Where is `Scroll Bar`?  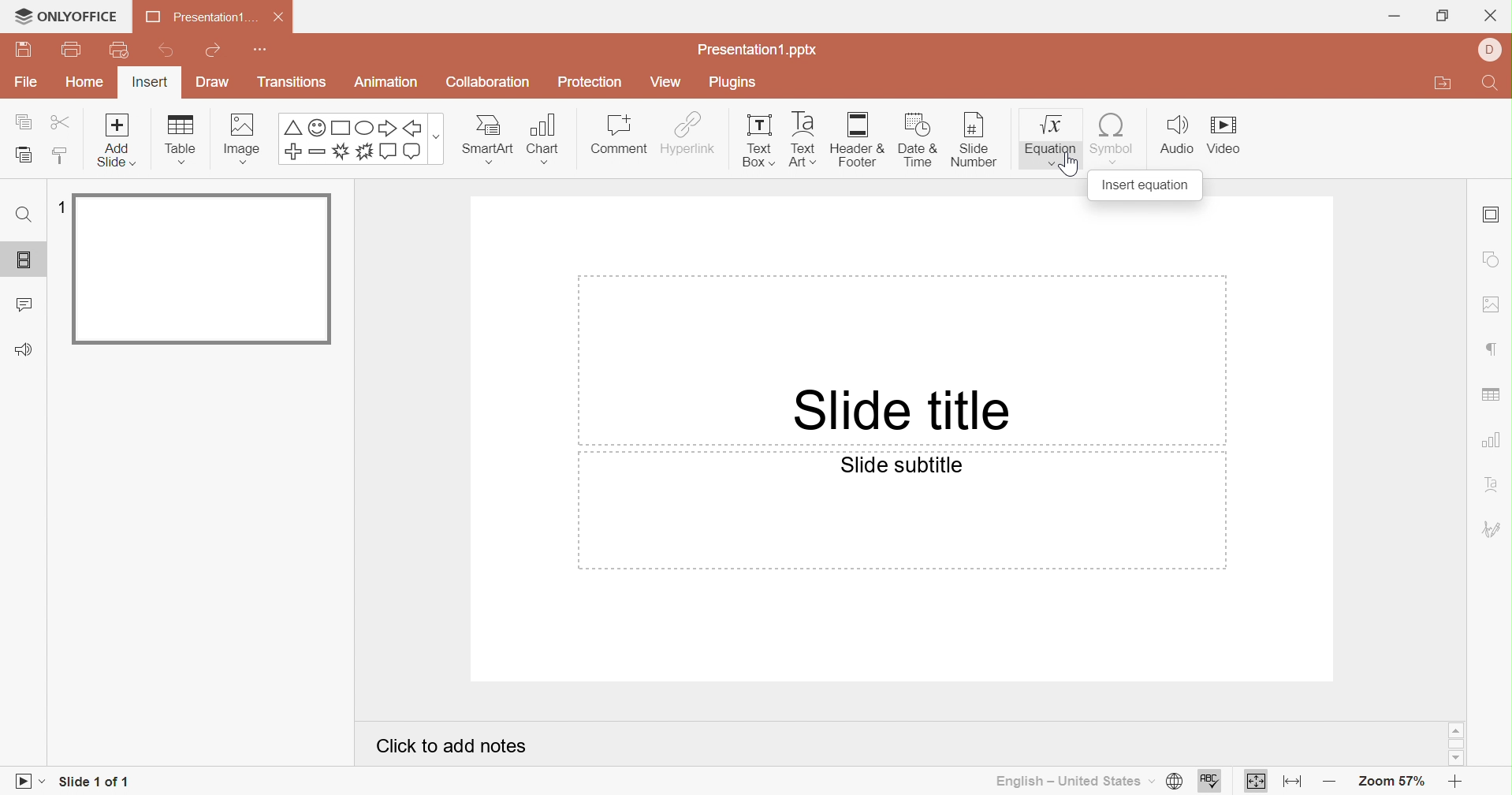 Scroll Bar is located at coordinates (1456, 746).